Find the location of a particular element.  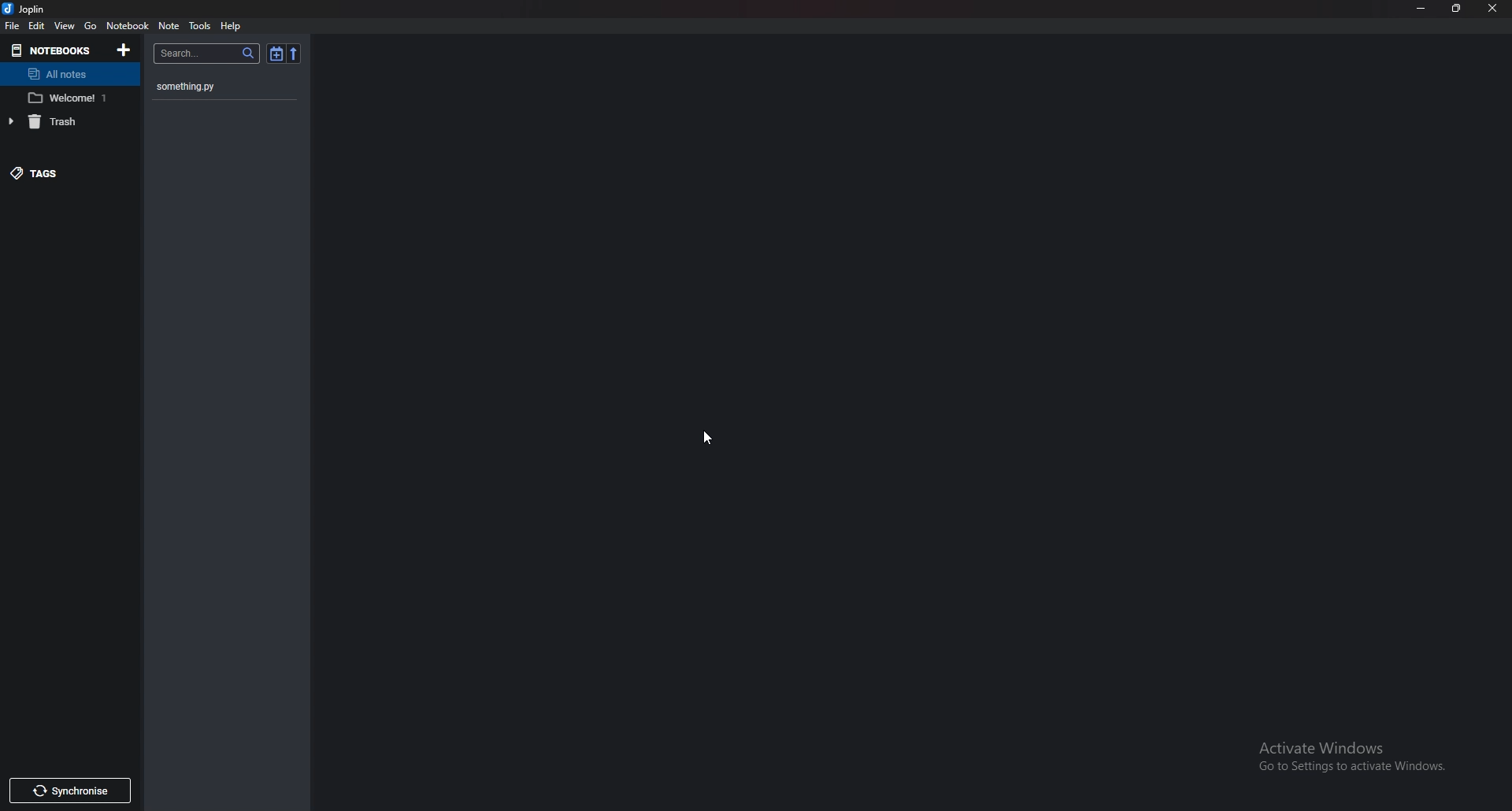

Edit is located at coordinates (37, 27).